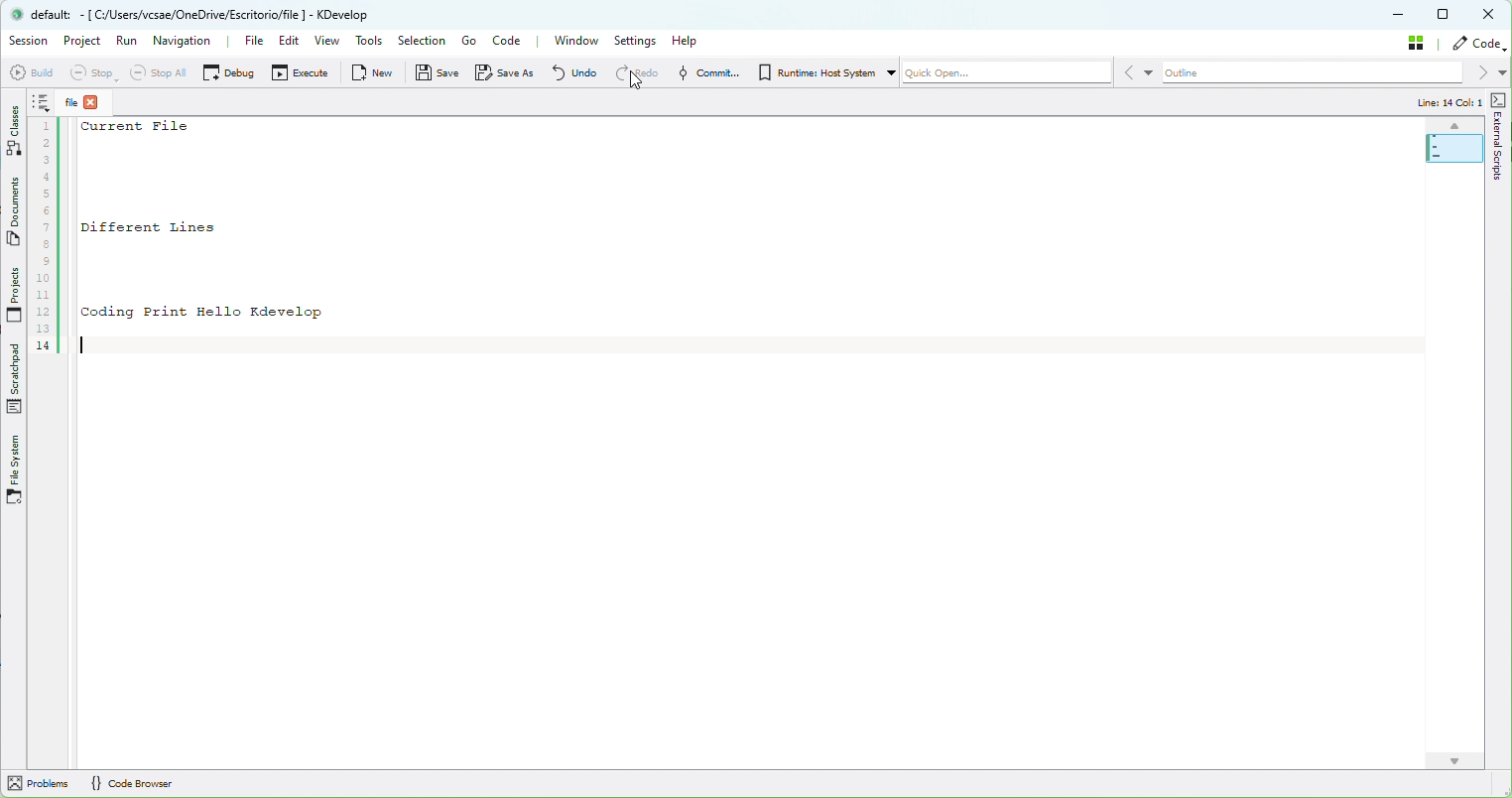 Image resolution: width=1512 pixels, height=798 pixels. I want to click on Help, so click(687, 42).